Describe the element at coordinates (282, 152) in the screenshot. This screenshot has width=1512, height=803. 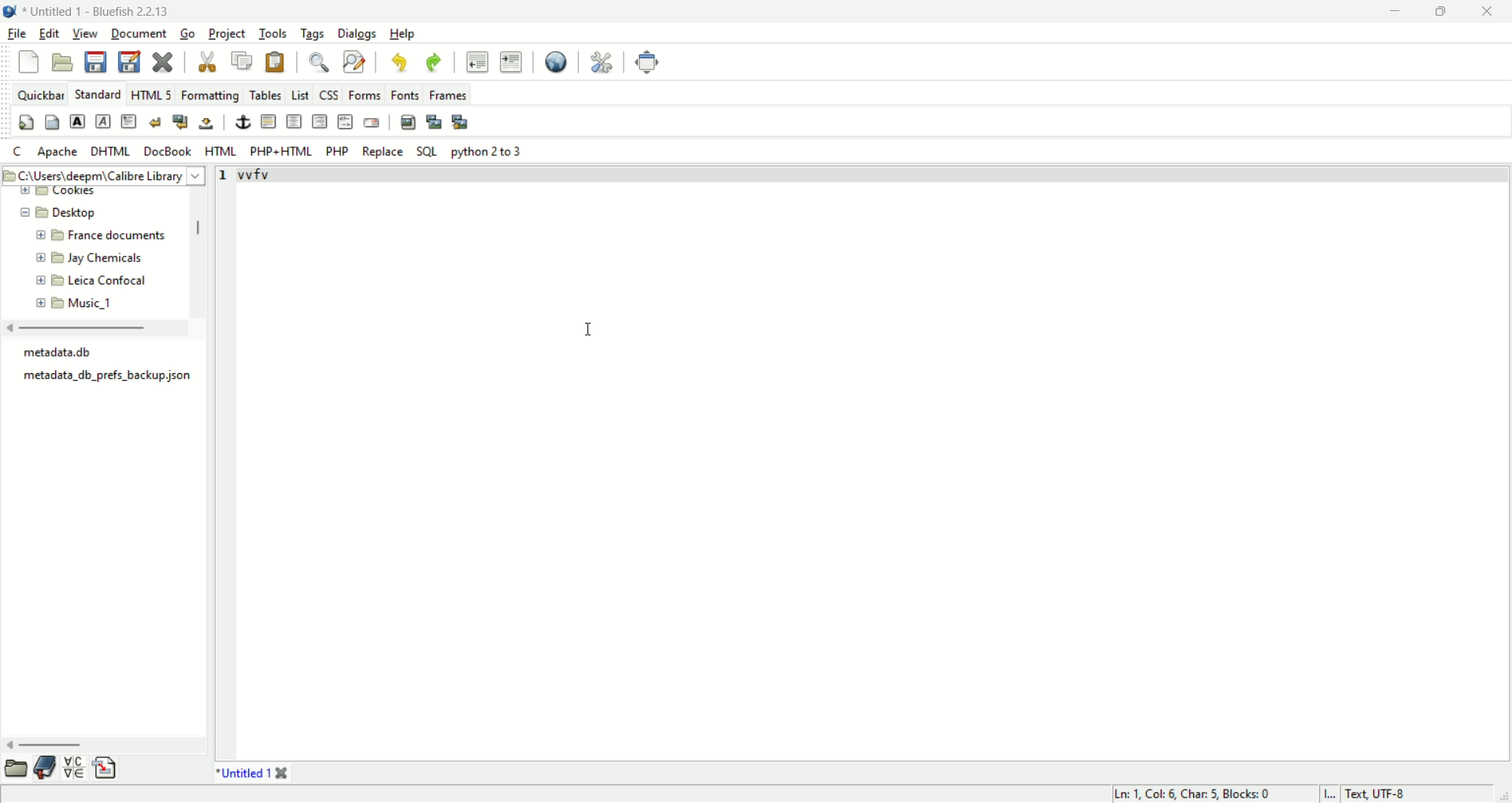
I see `PHP+HTML` at that location.